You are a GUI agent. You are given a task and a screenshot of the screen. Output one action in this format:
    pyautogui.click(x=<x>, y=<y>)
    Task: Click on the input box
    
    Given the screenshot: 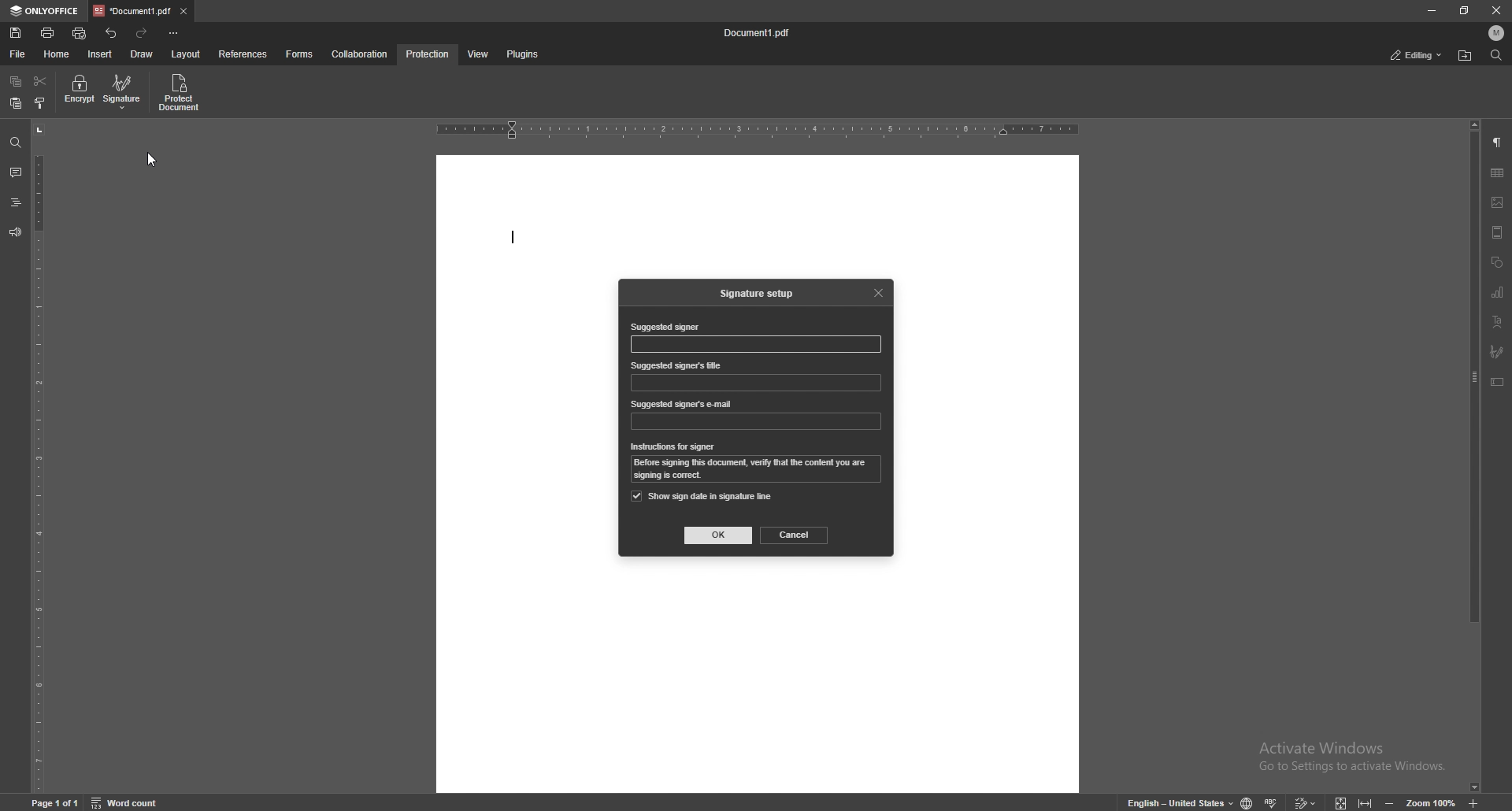 What is the action you would take?
    pyautogui.click(x=758, y=344)
    